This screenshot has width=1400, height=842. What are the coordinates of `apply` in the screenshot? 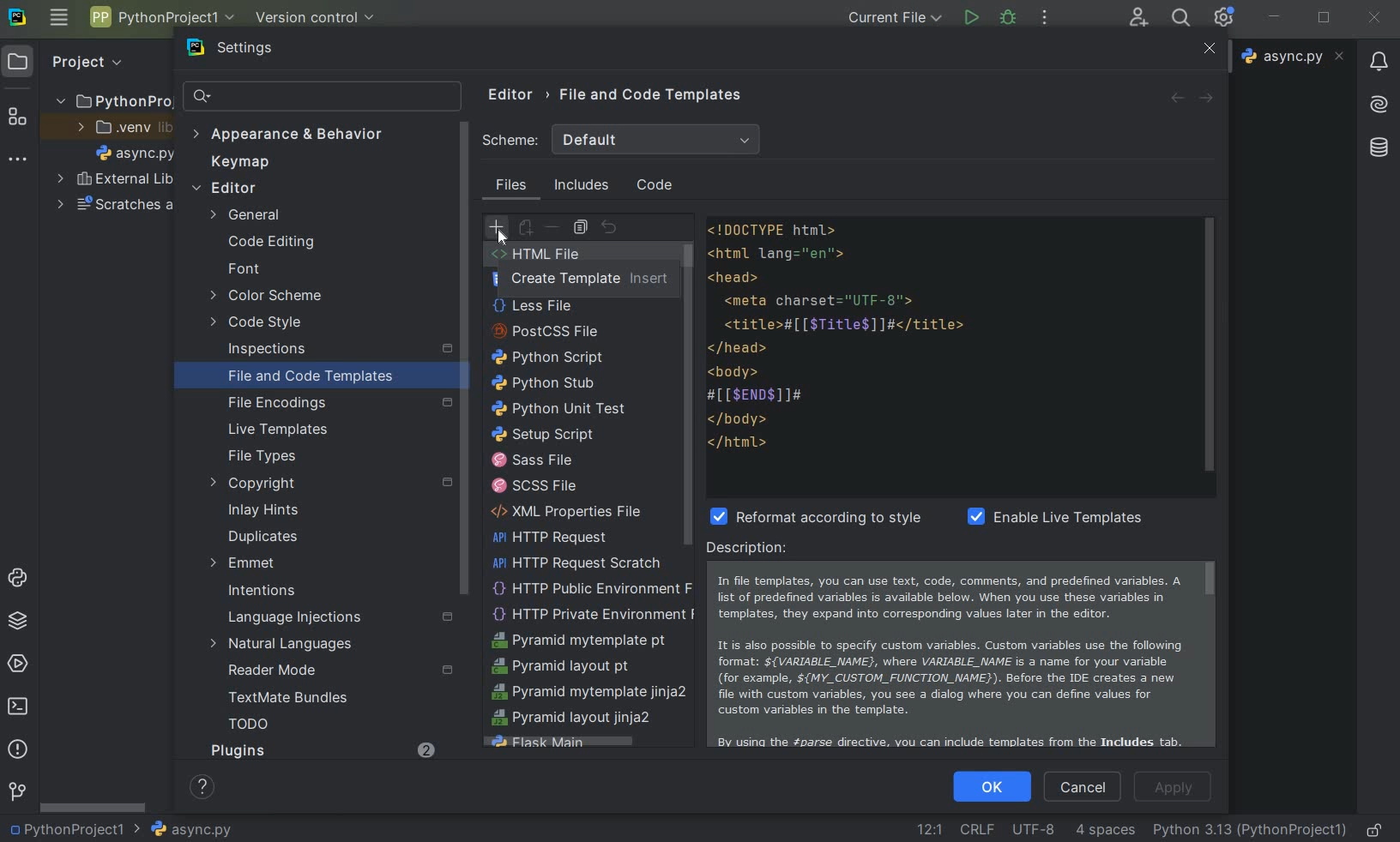 It's located at (1174, 785).